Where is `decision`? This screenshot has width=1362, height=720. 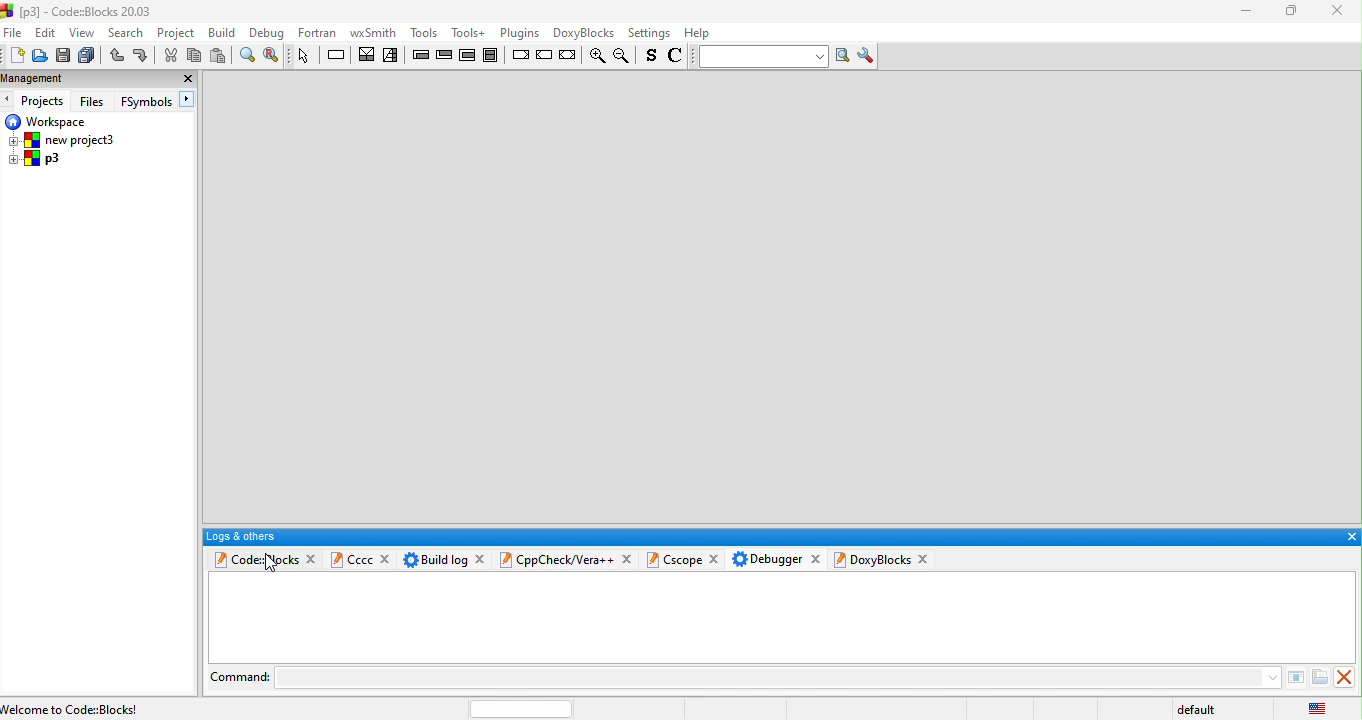
decision is located at coordinates (367, 54).